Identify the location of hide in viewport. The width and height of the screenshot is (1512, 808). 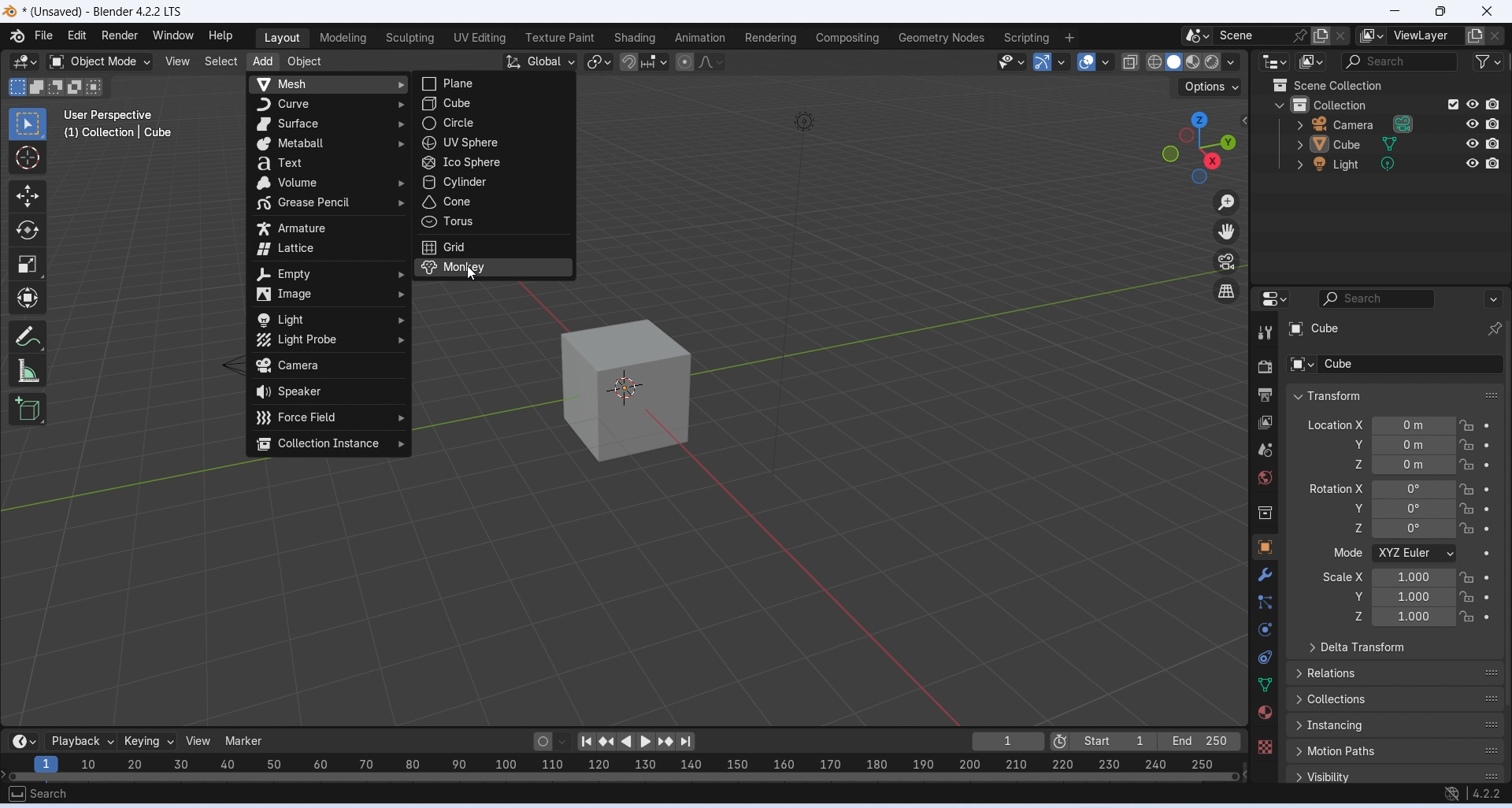
(1473, 124).